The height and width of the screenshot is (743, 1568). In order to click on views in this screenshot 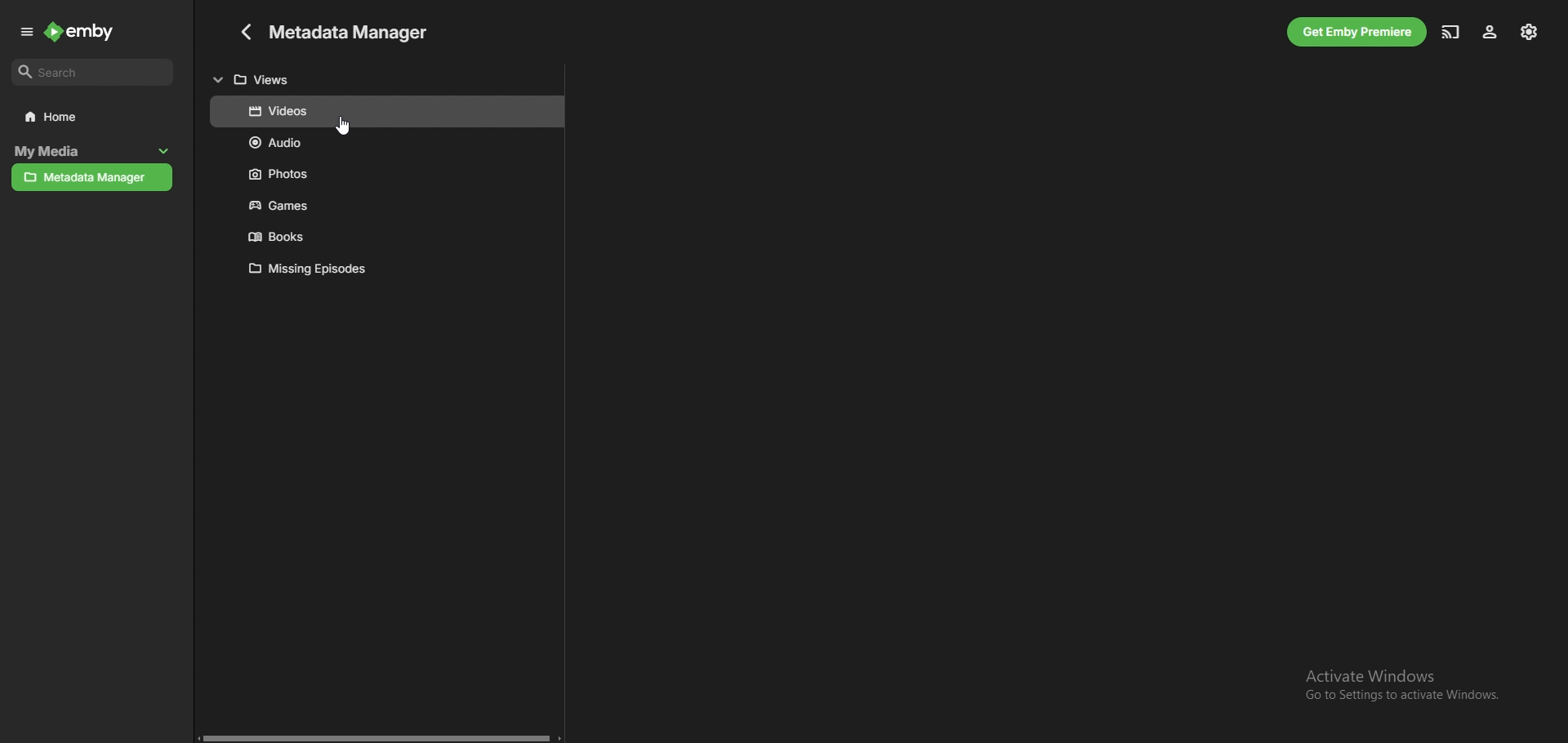, I will do `click(388, 77)`.